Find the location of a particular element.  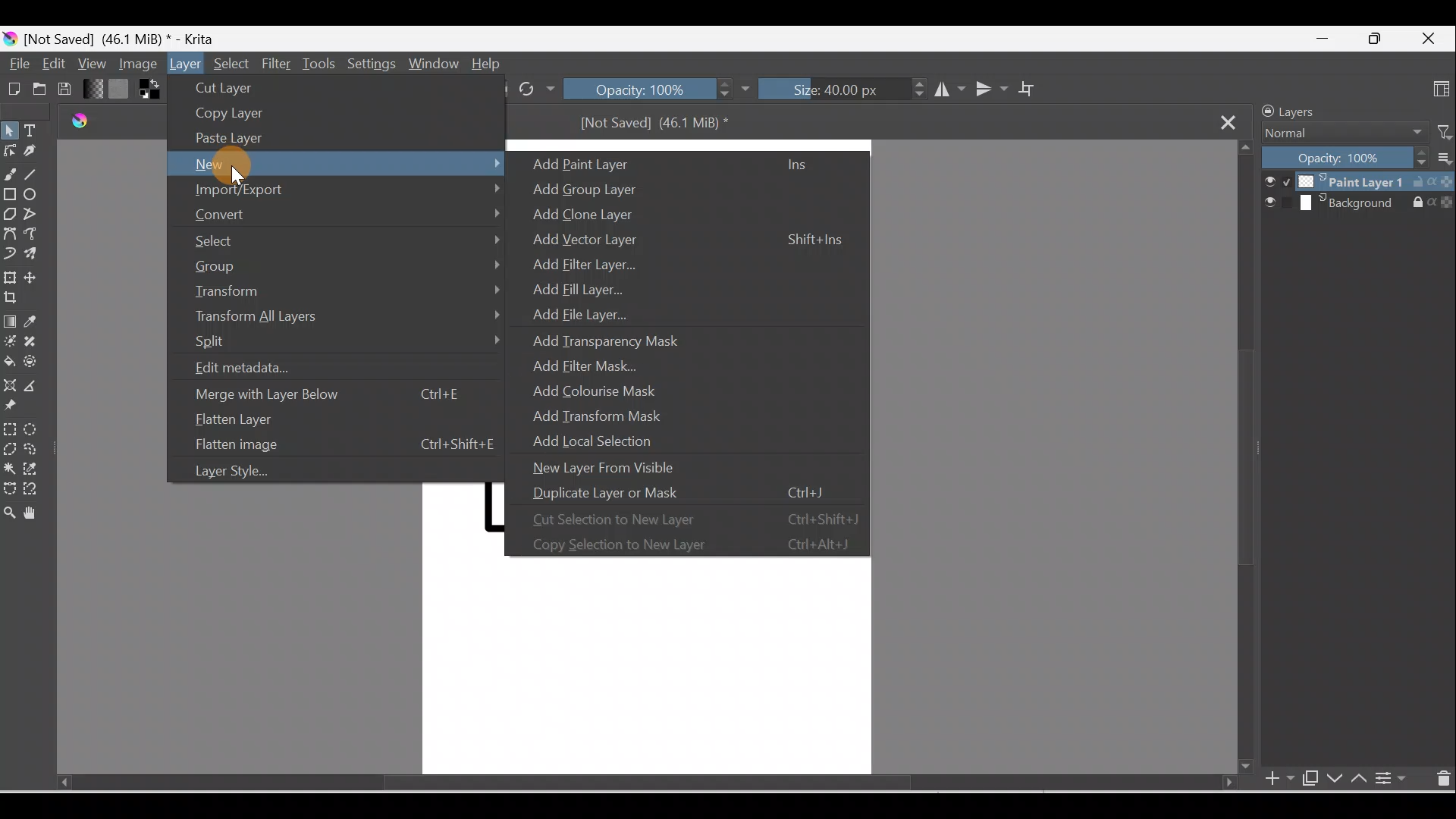

Elliptical selection tool is located at coordinates (34, 429).